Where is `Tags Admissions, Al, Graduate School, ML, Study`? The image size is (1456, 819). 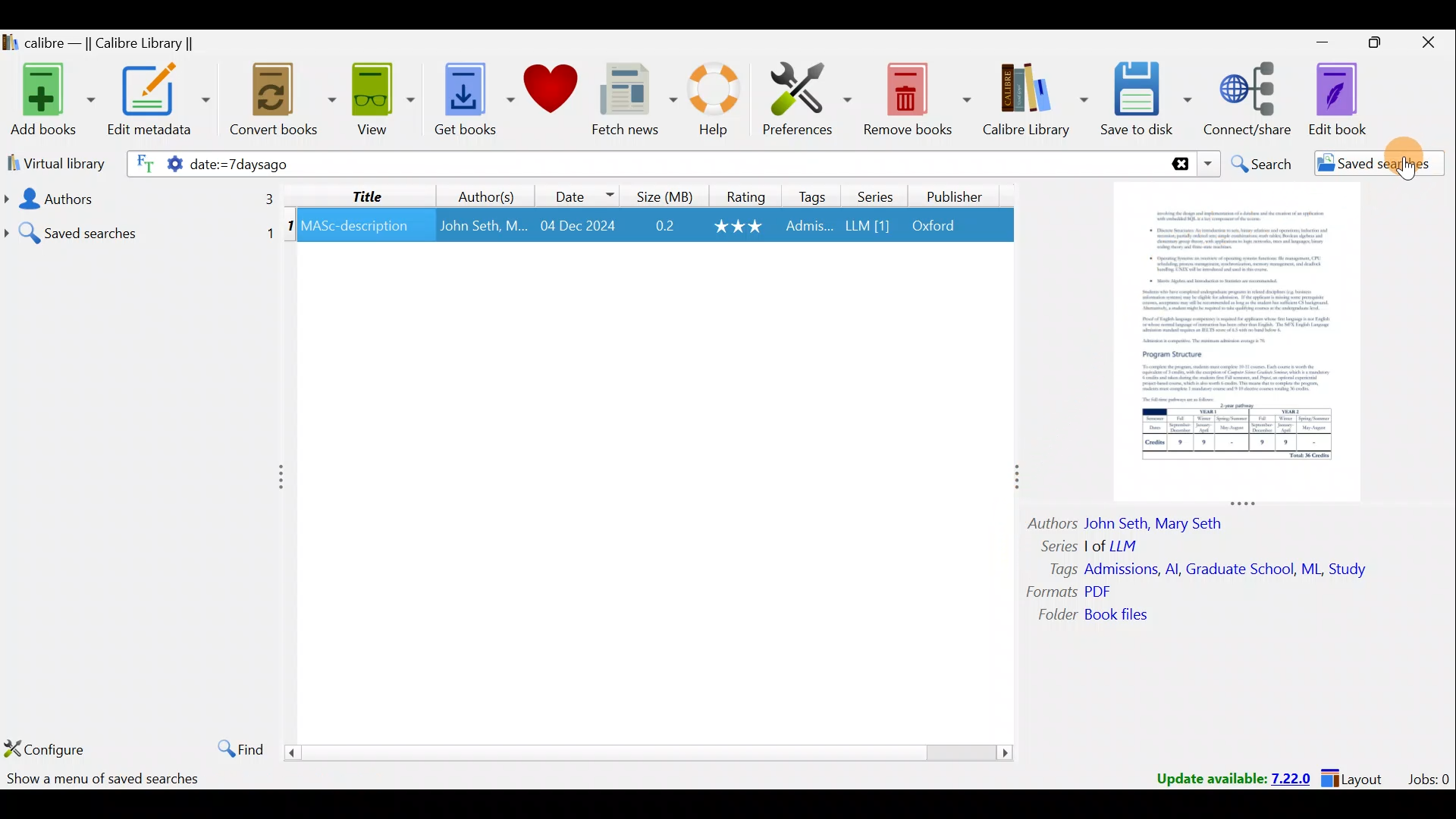
Tags Admissions, Al, Graduate School, ML, Study is located at coordinates (1210, 570).